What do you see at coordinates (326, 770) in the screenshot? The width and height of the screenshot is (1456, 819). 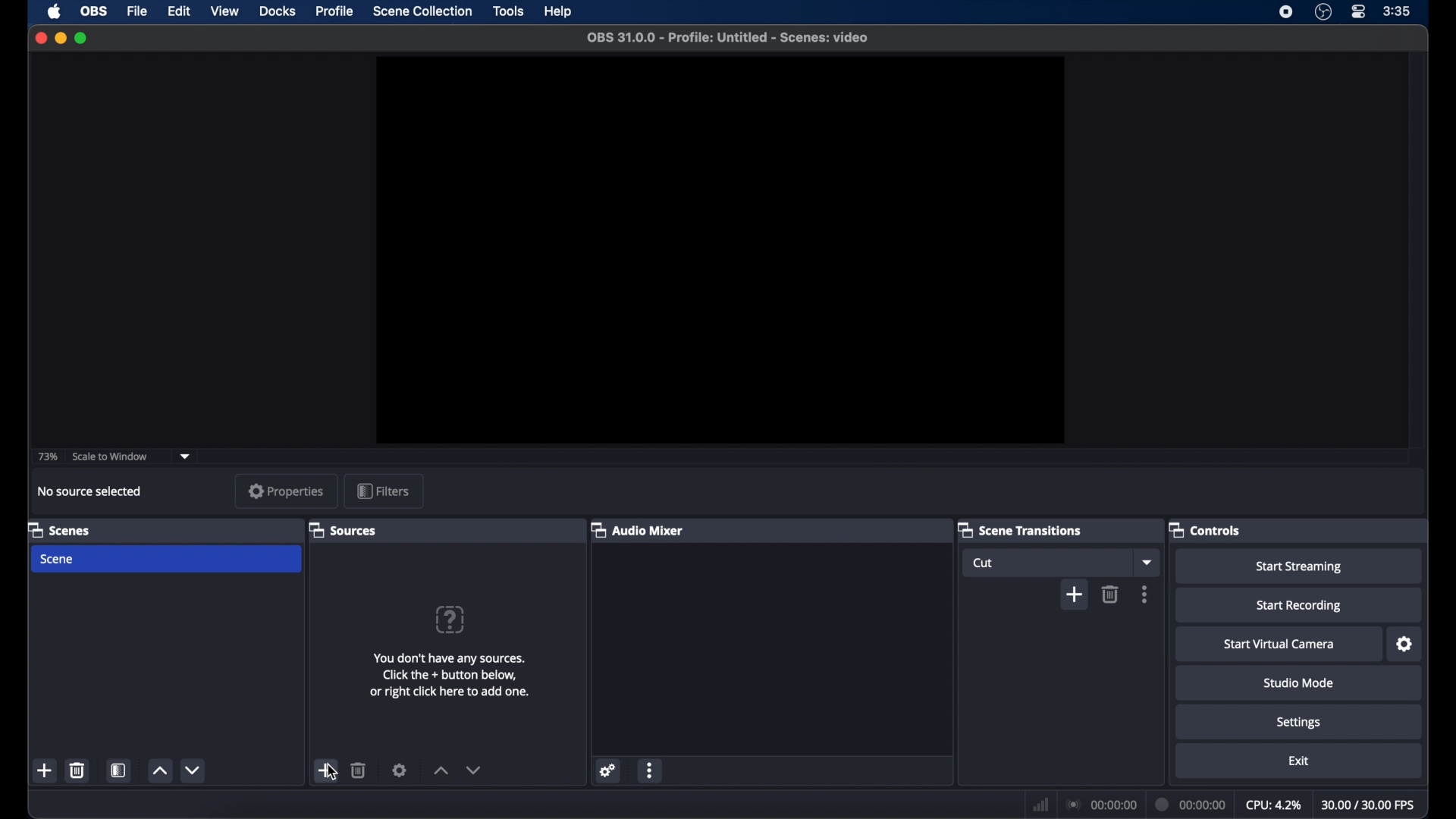 I see `add` at bounding box center [326, 770].